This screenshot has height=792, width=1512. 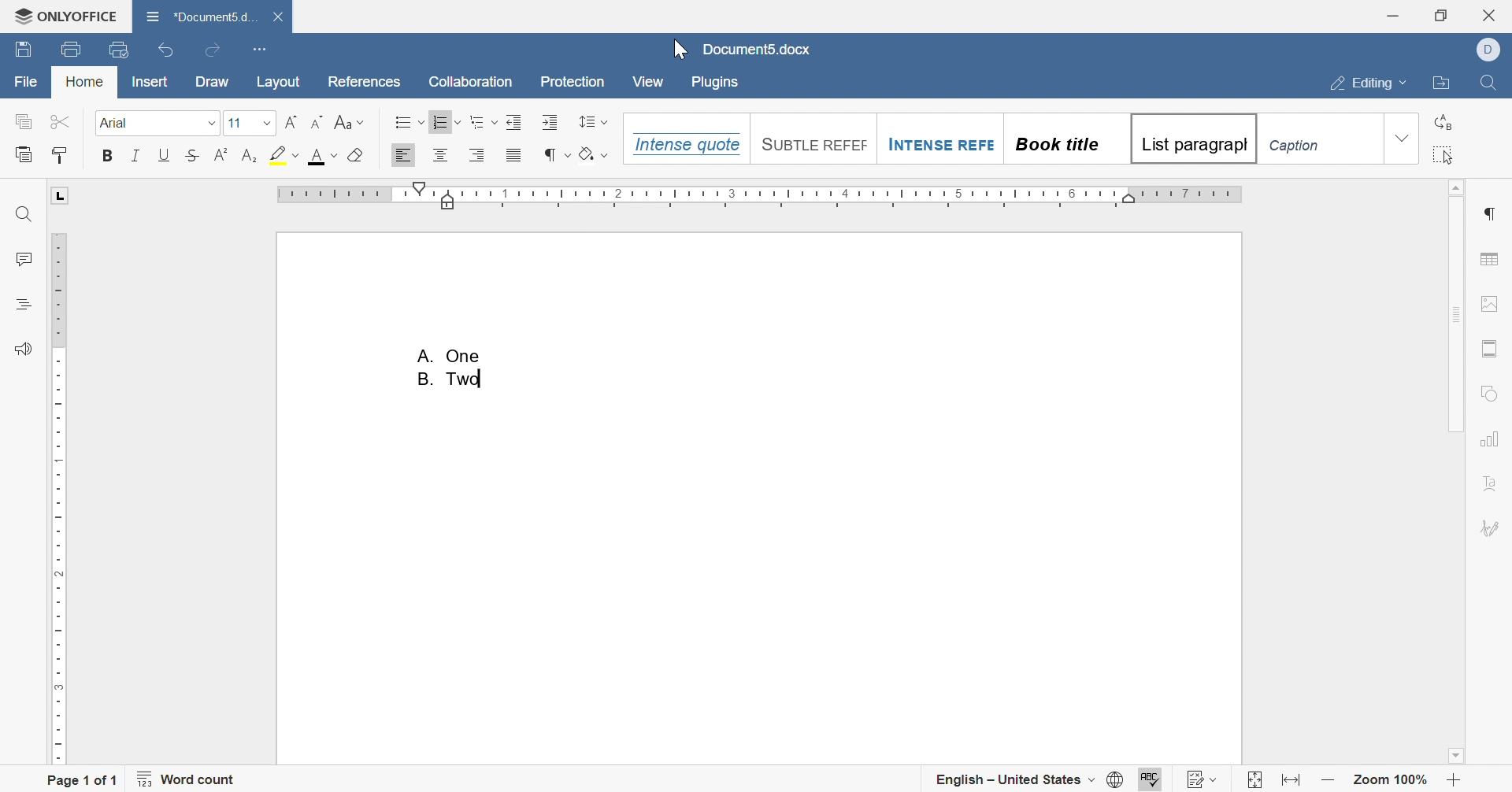 What do you see at coordinates (1439, 14) in the screenshot?
I see `restore down` at bounding box center [1439, 14].